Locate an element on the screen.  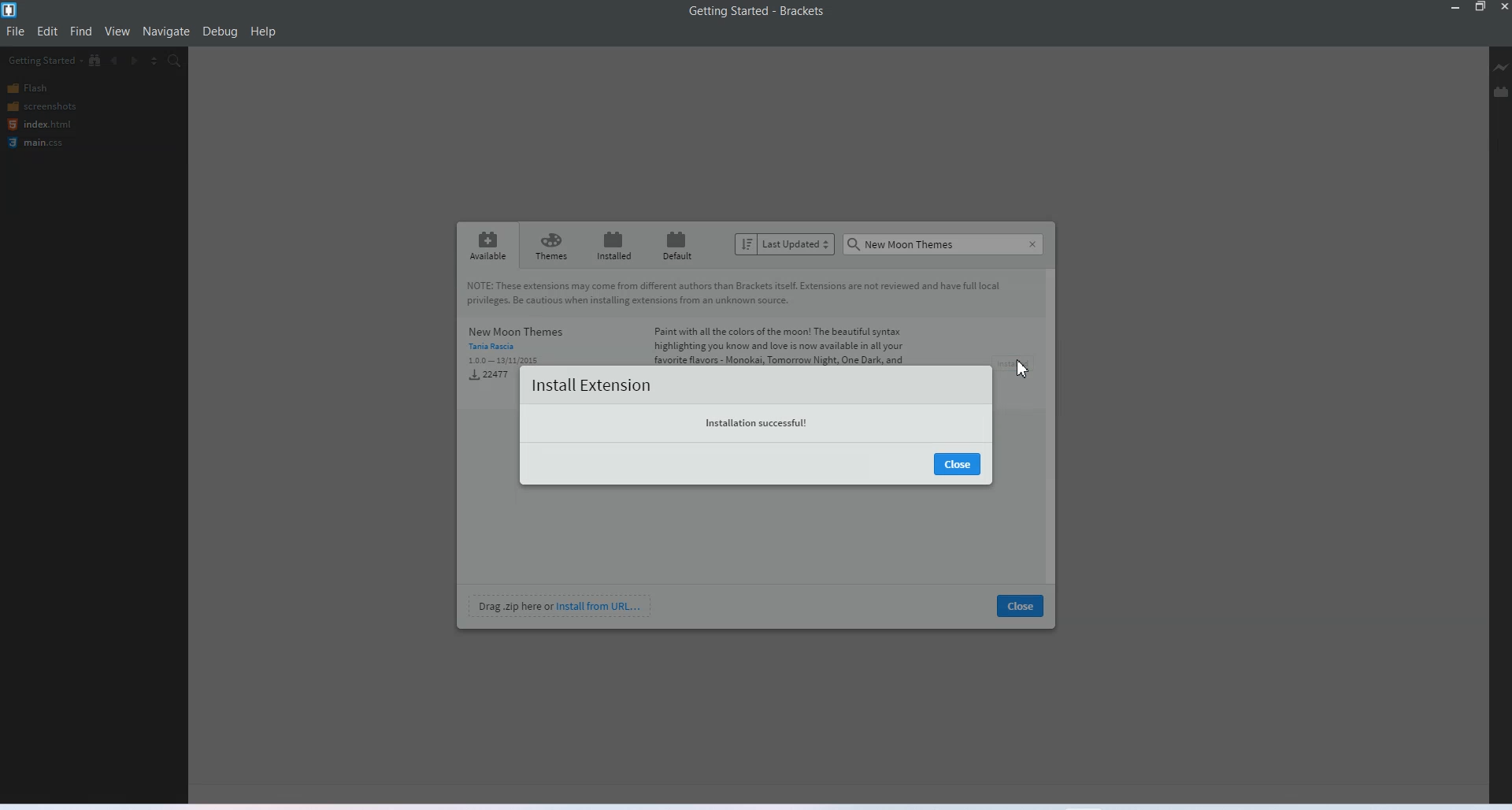
Navigate is located at coordinates (166, 32).